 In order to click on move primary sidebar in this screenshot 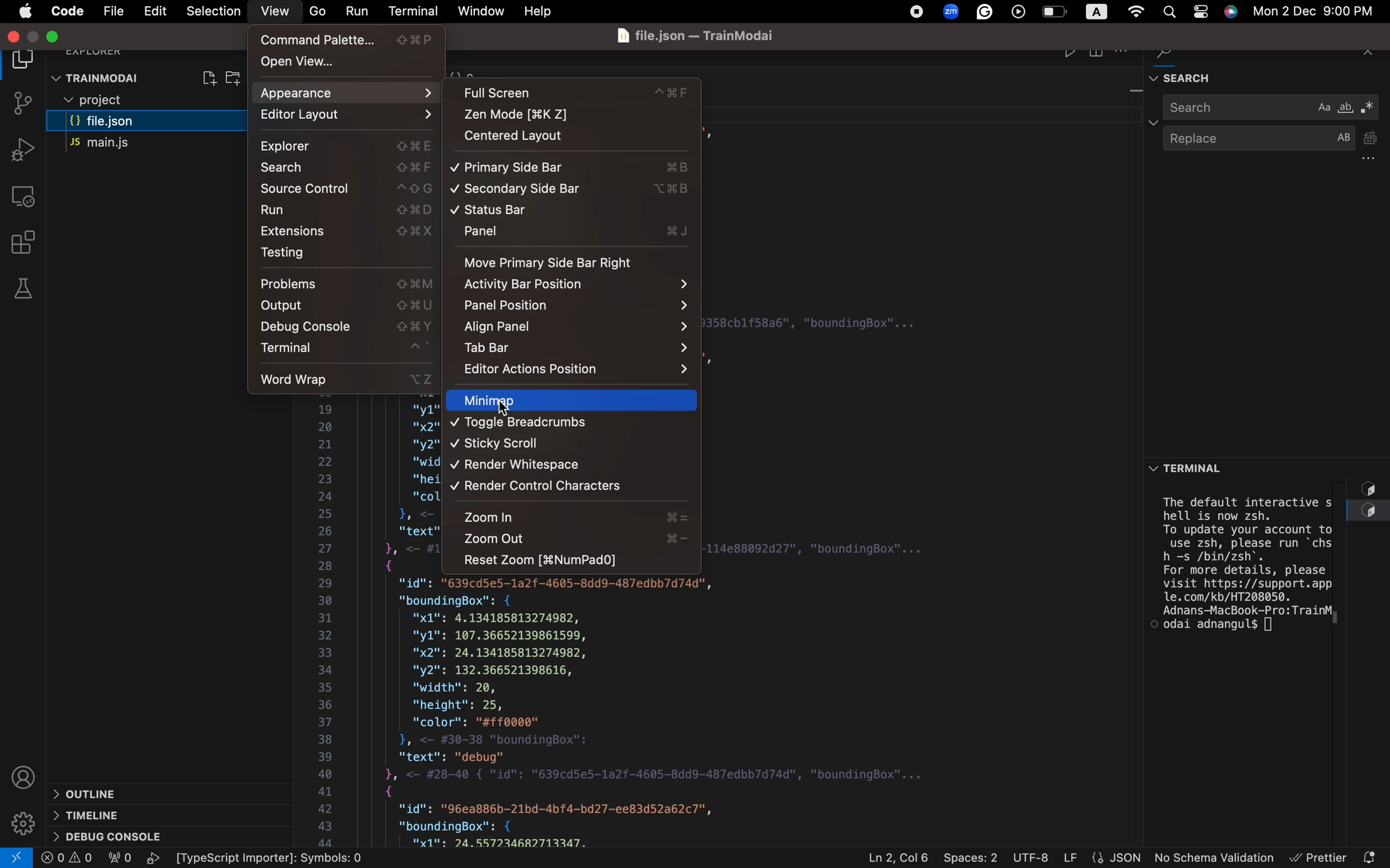, I will do `click(568, 264)`.